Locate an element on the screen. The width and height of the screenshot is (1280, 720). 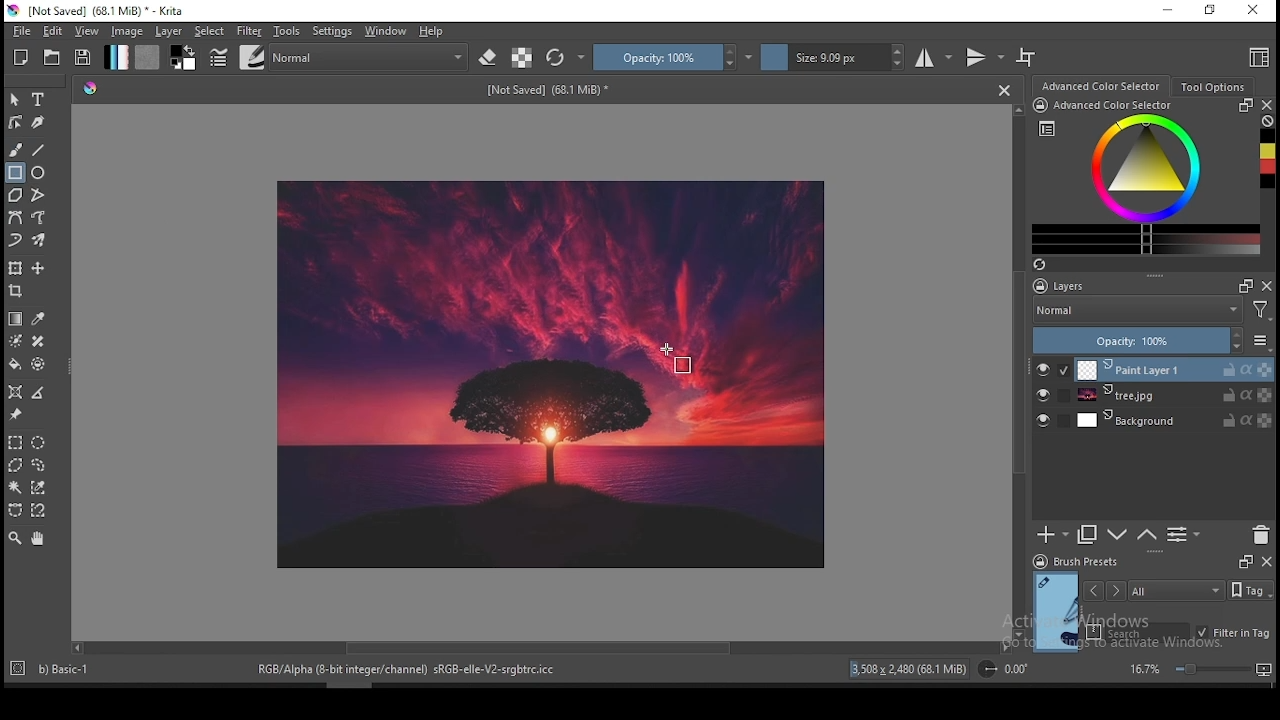
settings is located at coordinates (332, 31).